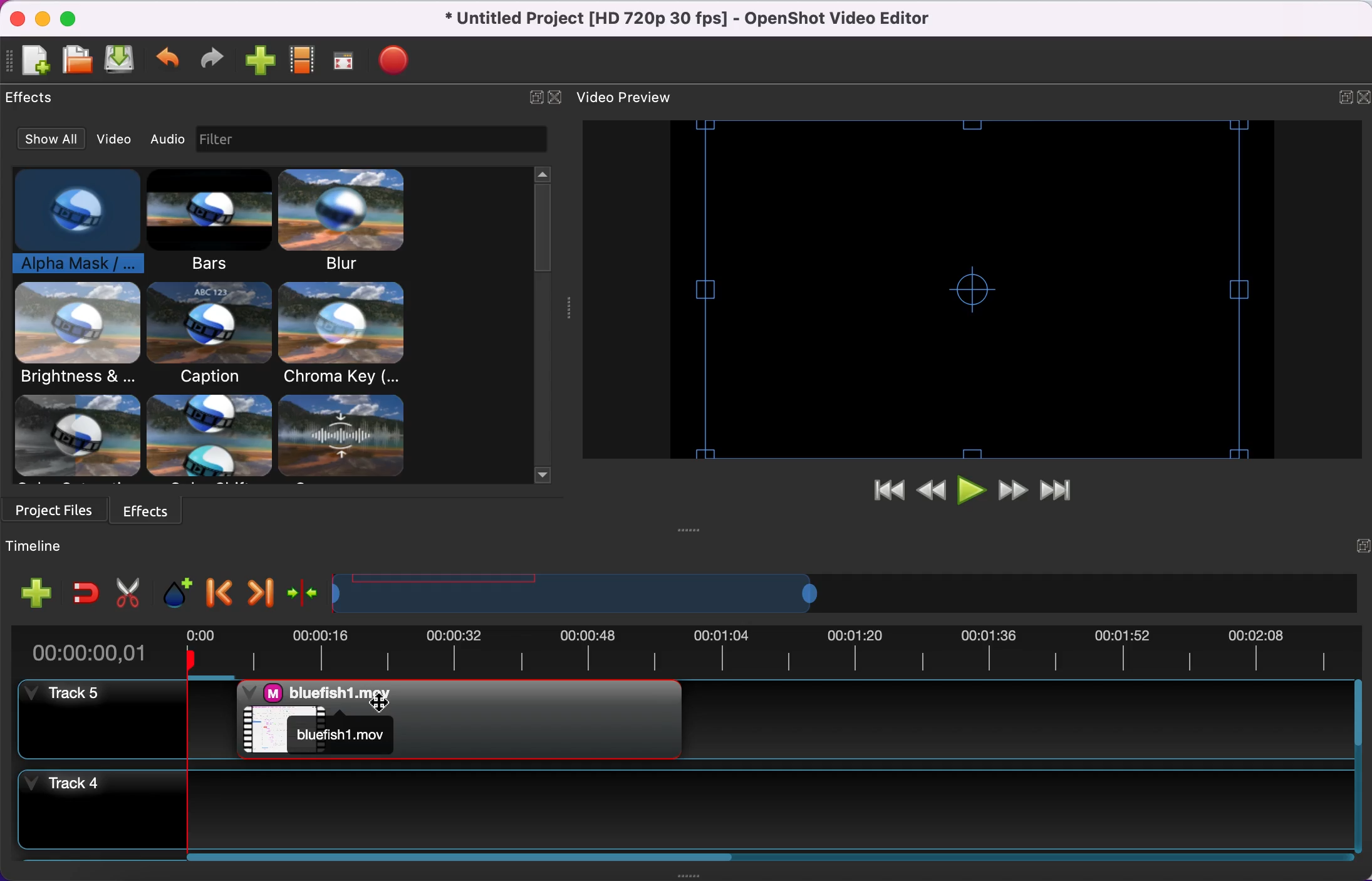 This screenshot has width=1372, height=881. Describe the element at coordinates (345, 63) in the screenshot. I see `full screen` at that location.